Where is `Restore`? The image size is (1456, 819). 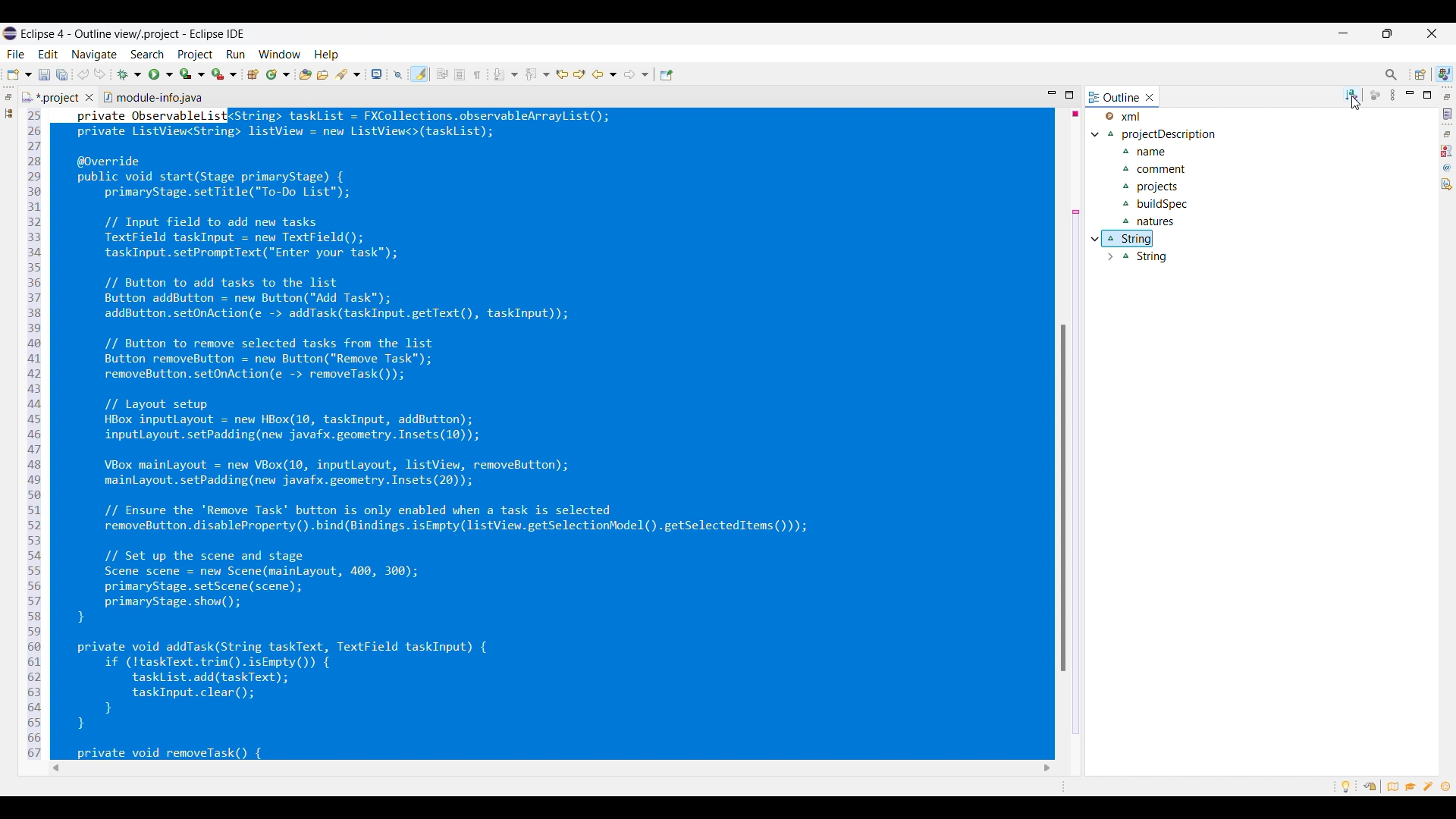 Restore is located at coordinates (1448, 96).